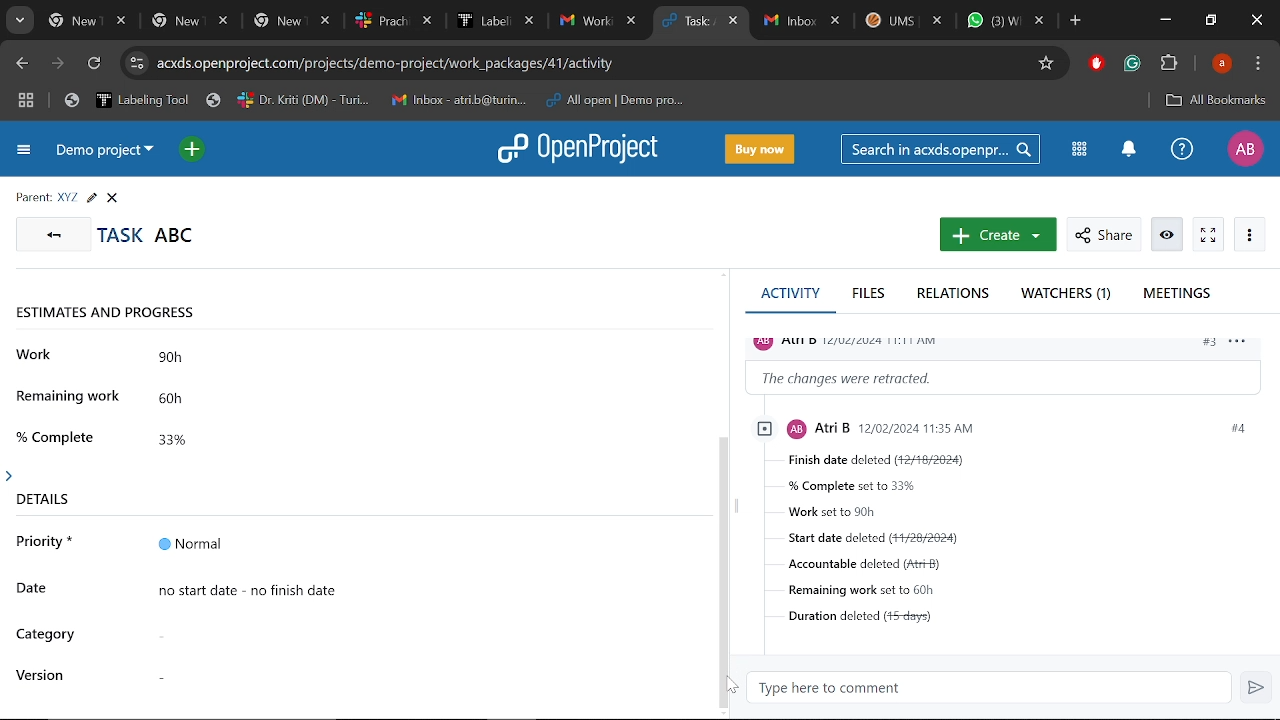 This screenshot has height=720, width=1280. I want to click on Meetings, so click(1179, 296).